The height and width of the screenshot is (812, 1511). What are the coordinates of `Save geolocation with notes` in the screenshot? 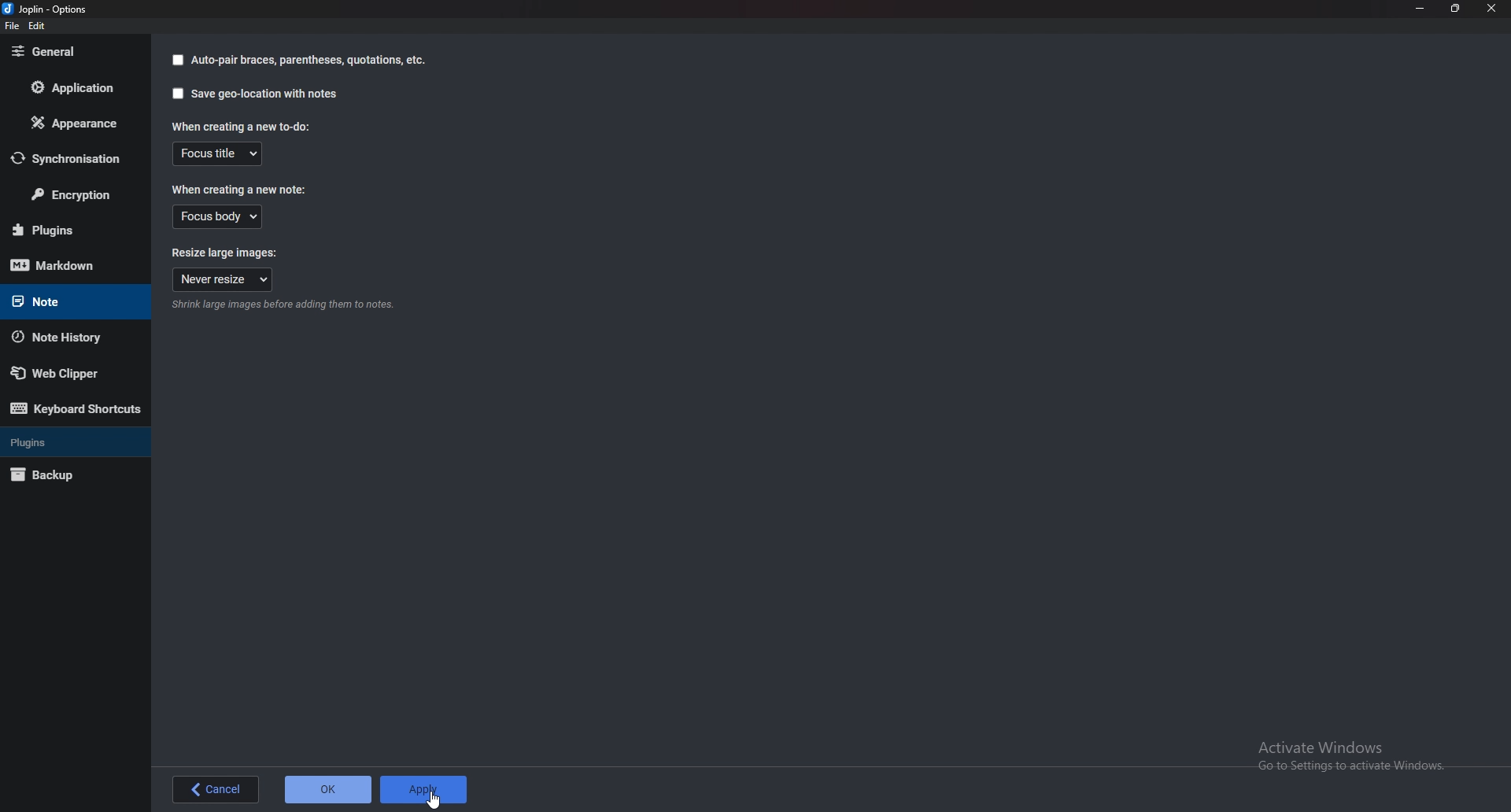 It's located at (266, 94).